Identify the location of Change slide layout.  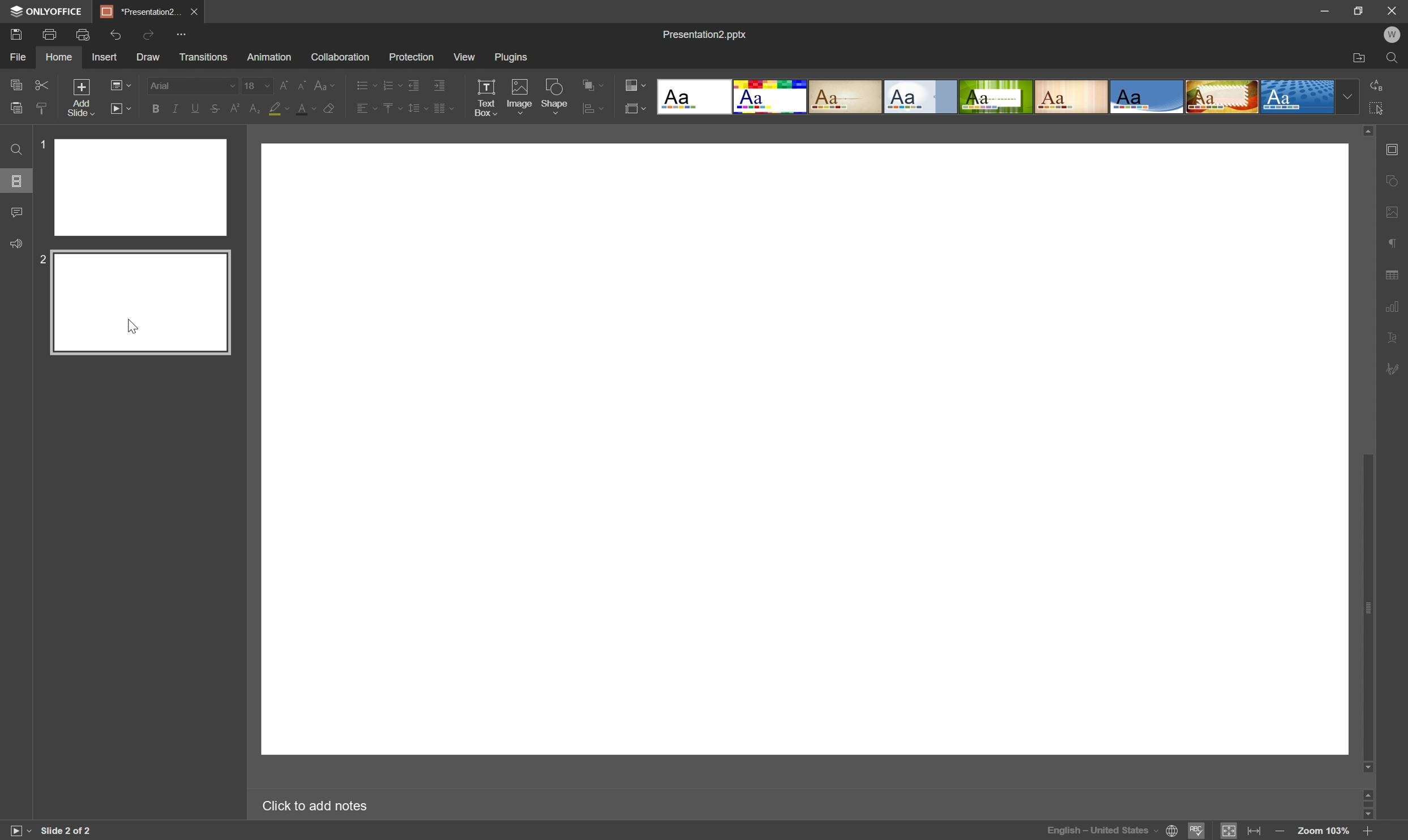
(121, 85).